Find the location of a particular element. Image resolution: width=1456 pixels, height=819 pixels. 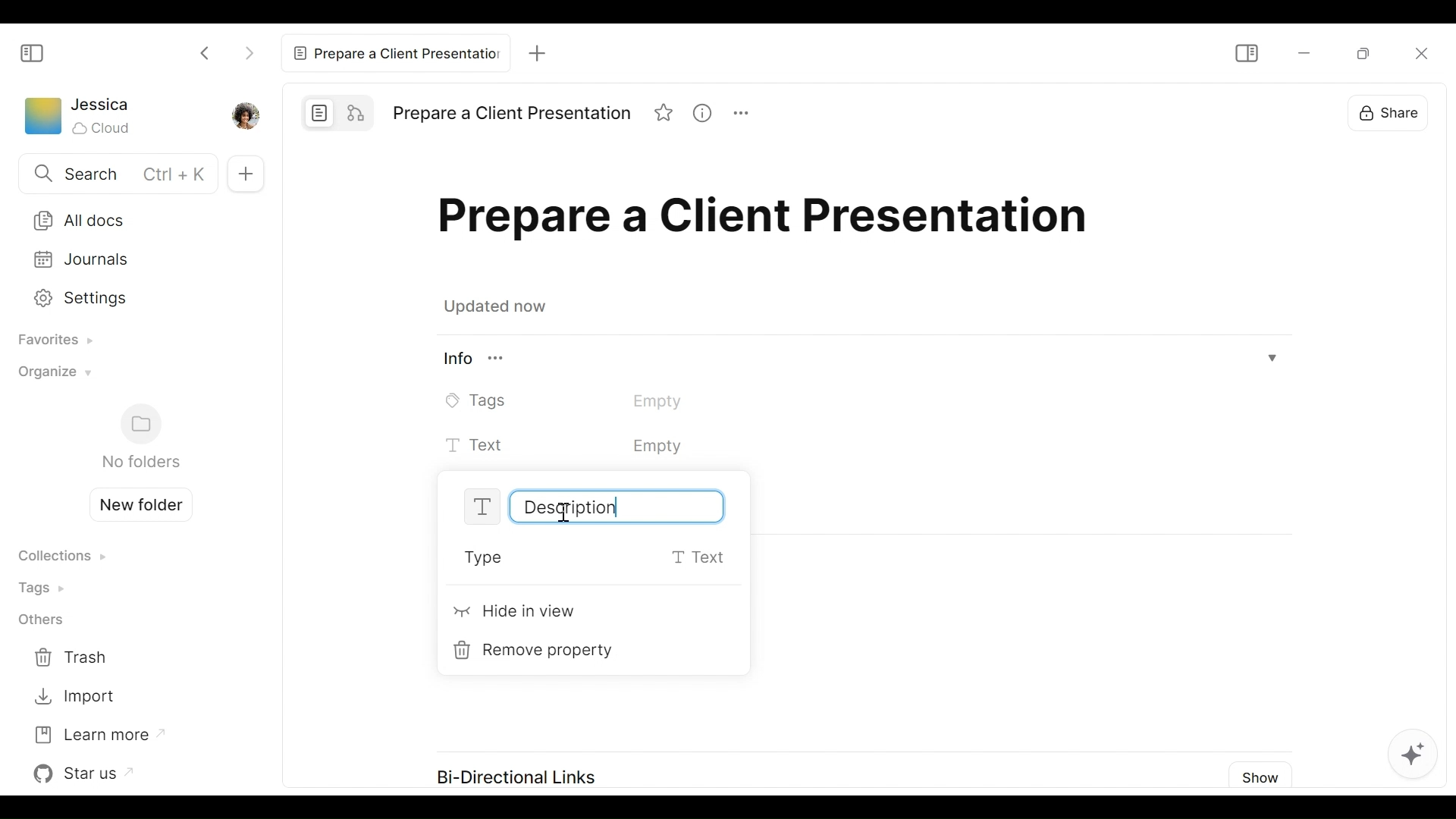

Folders is located at coordinates (140, 438).